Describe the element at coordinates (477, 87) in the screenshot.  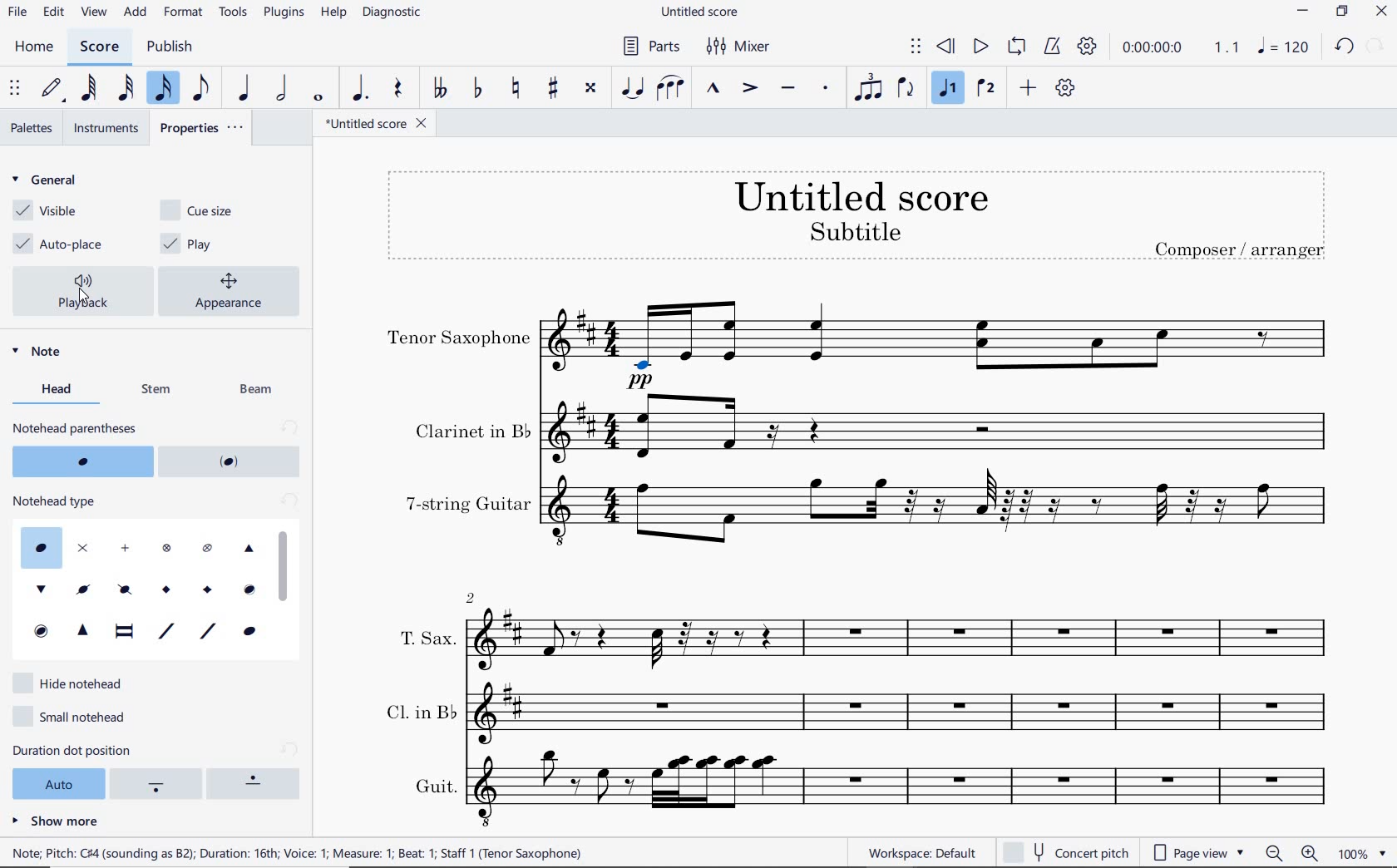
I see `TOGGLE FLAT` at that location.